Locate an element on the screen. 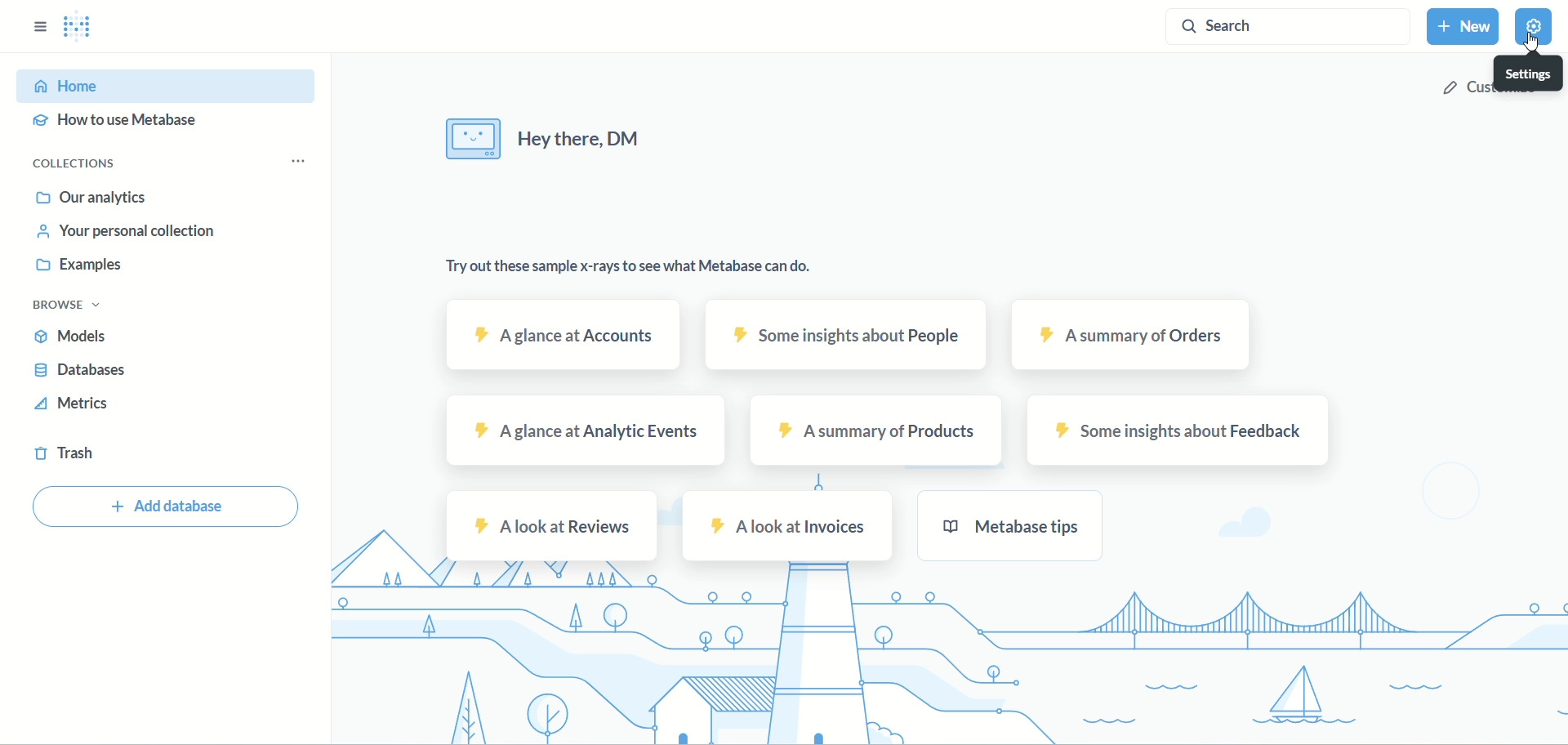 The height and width of the screenshot is (745, 1568). examples is located at coordinates (84, 263).